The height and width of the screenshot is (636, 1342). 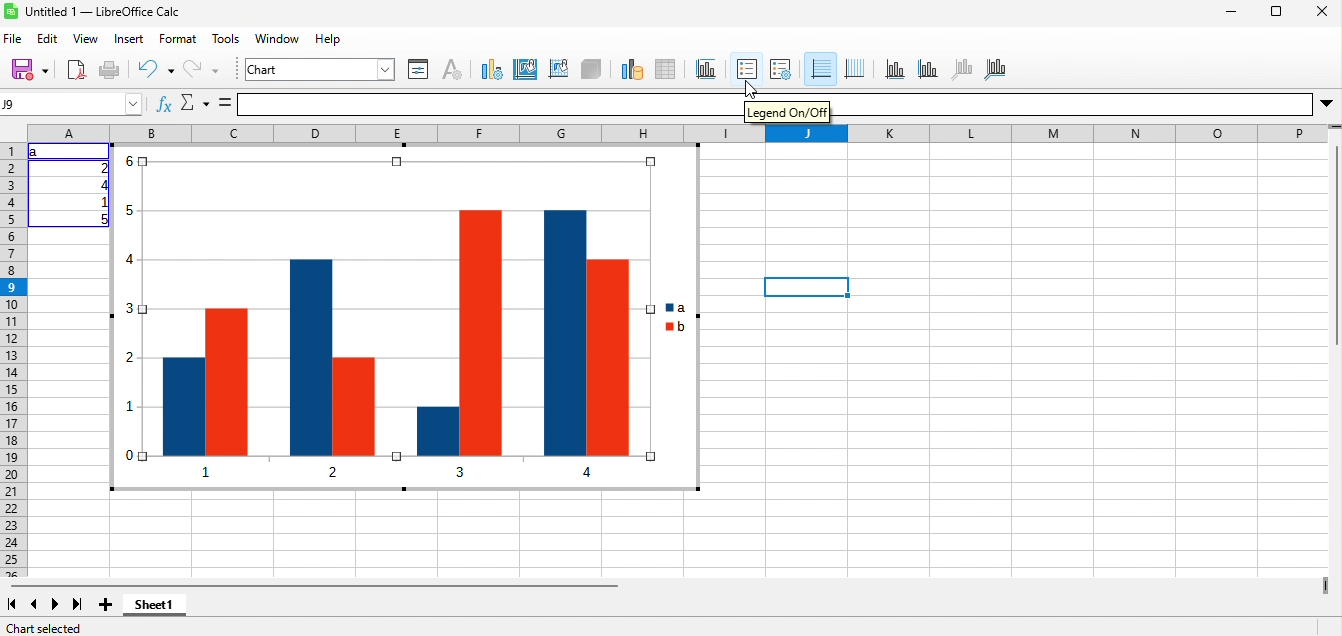 What do you see at coordinates (678, 133) in the screenshot?
I see `column headings` at bounding box center [678, 133].